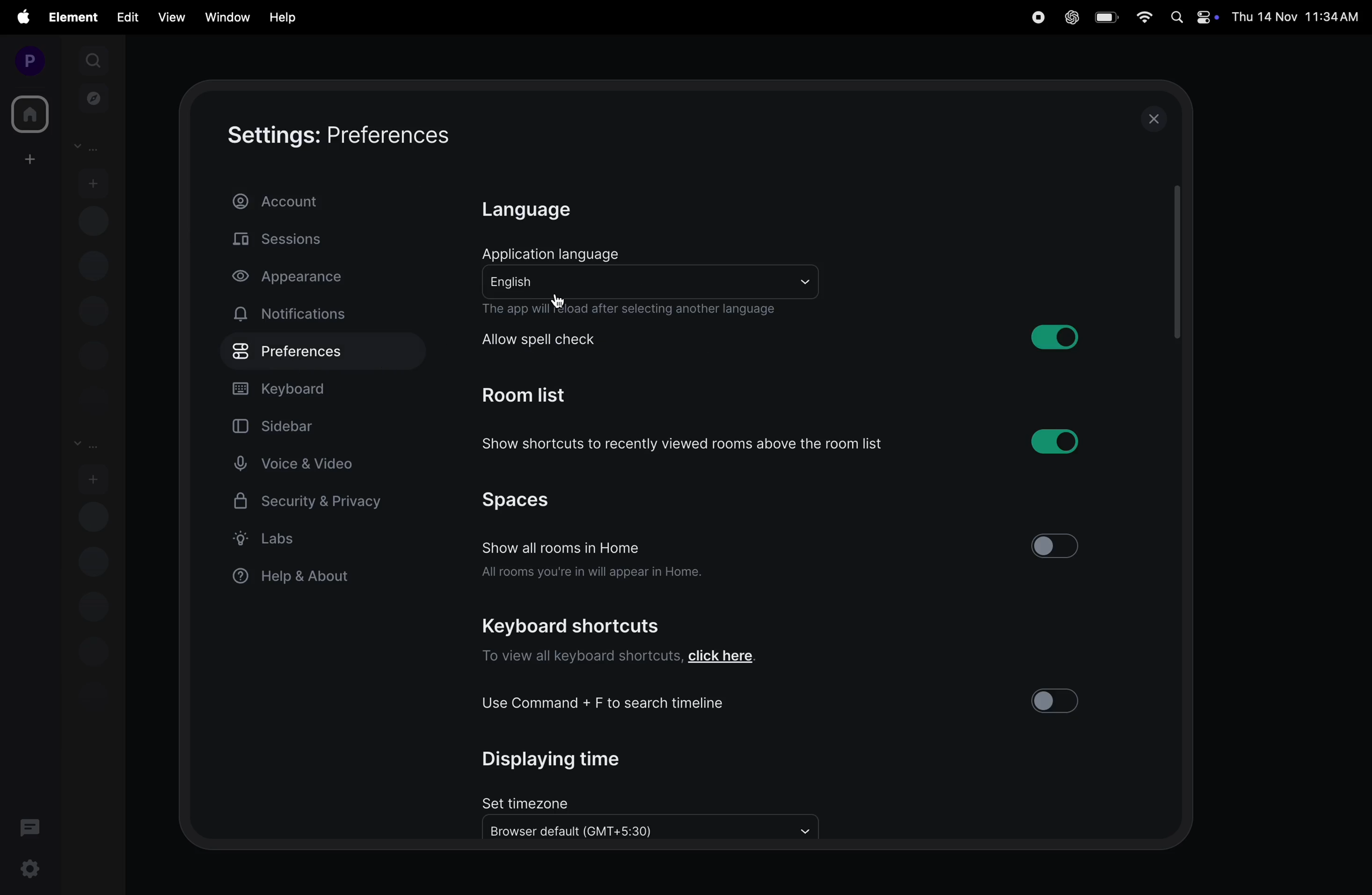  What do you see at coordinates (564, 548) in the screenshot?
I see `show all room in home` at bounding box center [564, 548].